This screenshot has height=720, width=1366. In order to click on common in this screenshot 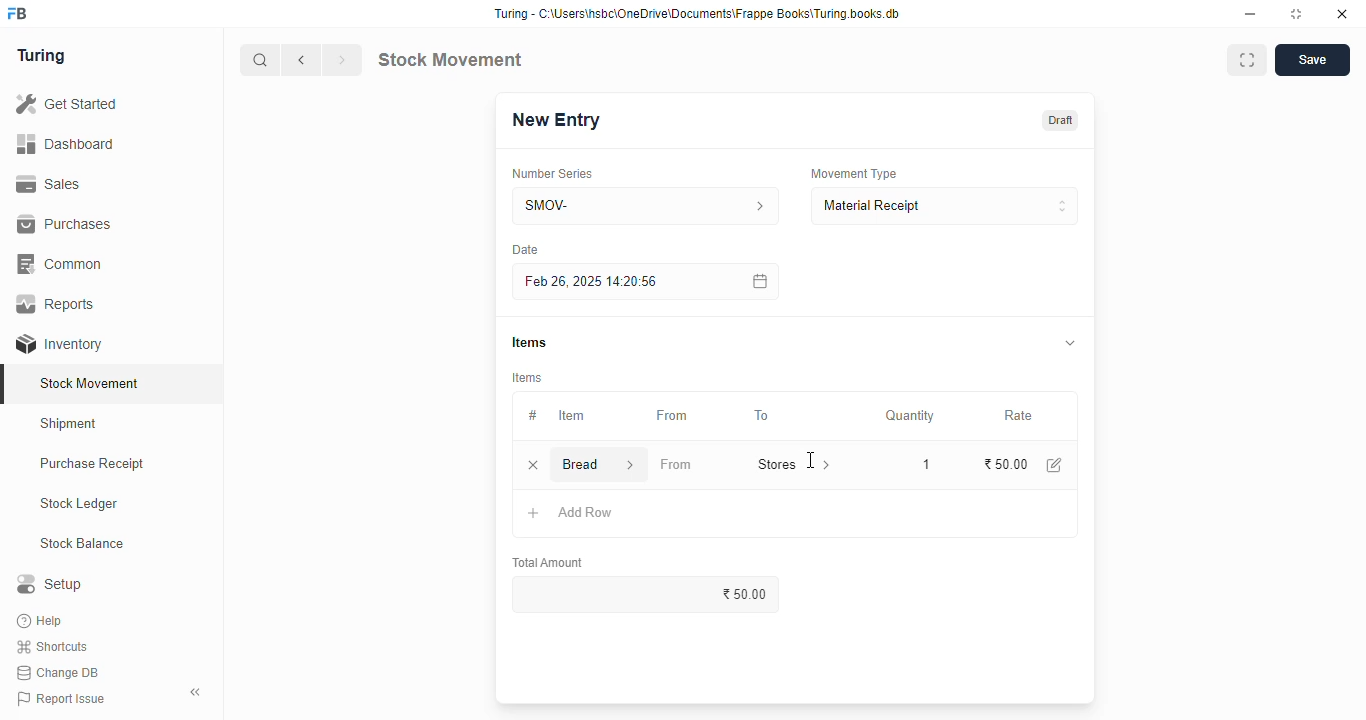, I will do `click(62, 264)`.